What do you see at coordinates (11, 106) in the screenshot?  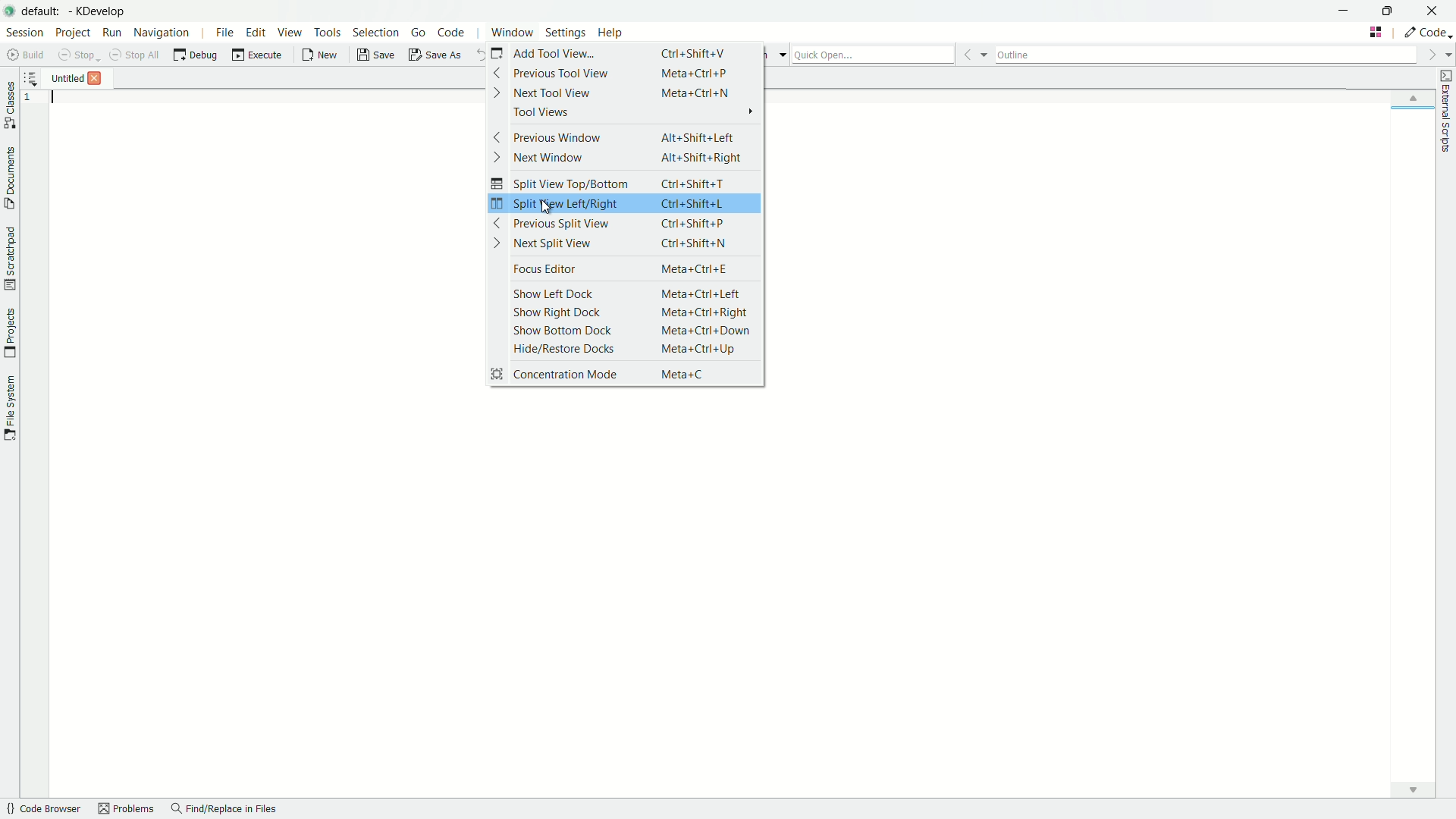 I see `toggle classes` at bounding box center [11, 106].